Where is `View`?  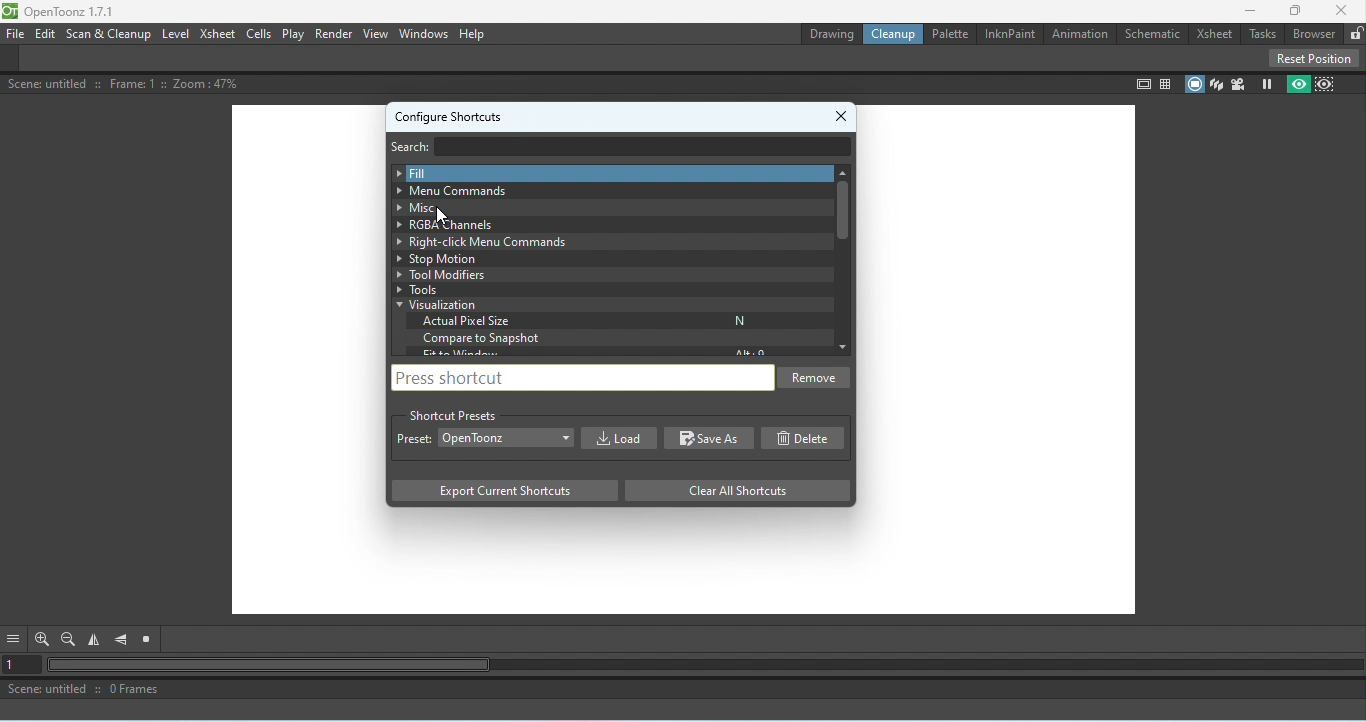 View is located at coordinates (374, 35).